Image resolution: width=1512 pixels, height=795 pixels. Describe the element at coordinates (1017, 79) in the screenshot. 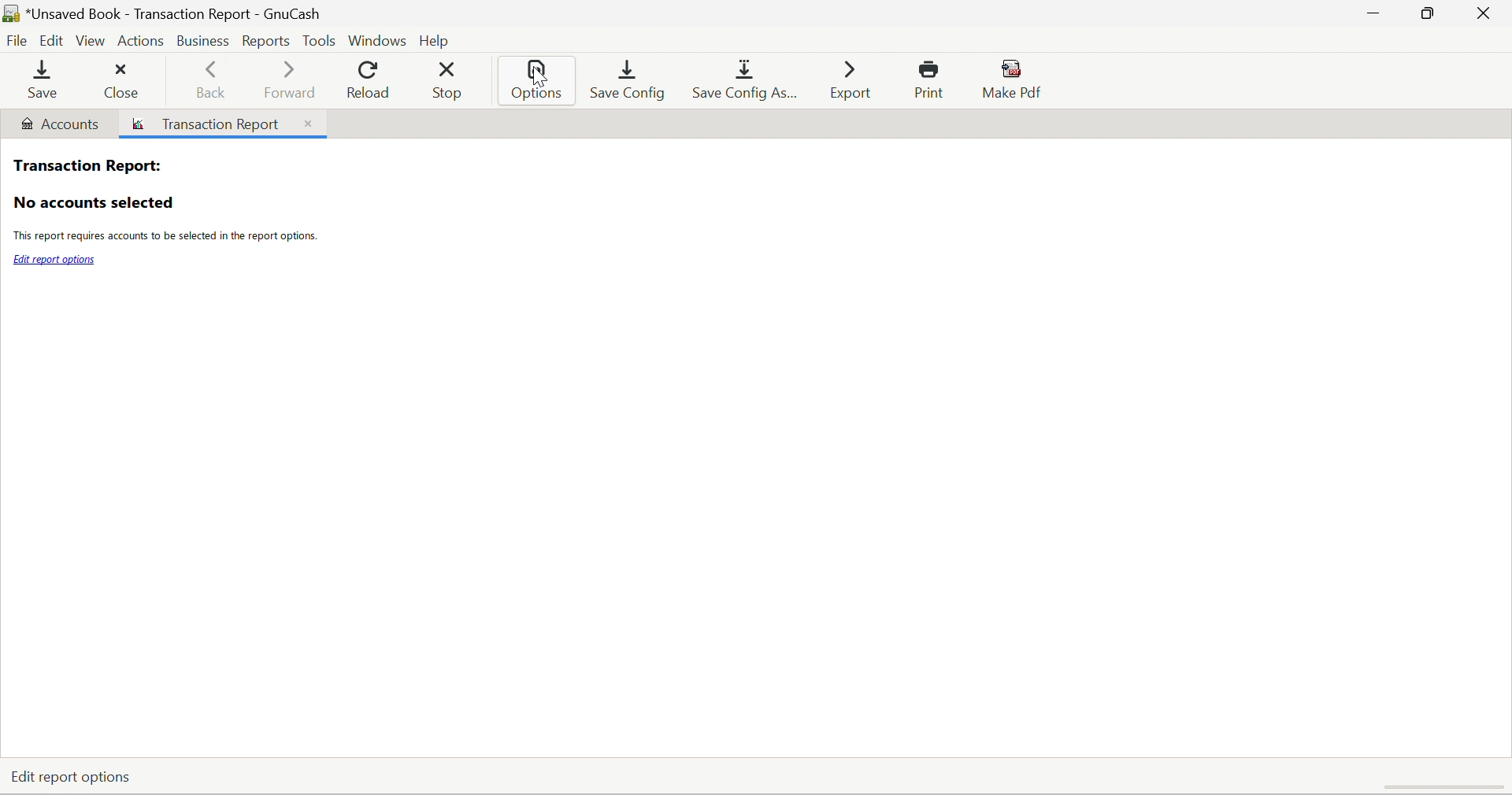

I see `Make Pdf` at that location.